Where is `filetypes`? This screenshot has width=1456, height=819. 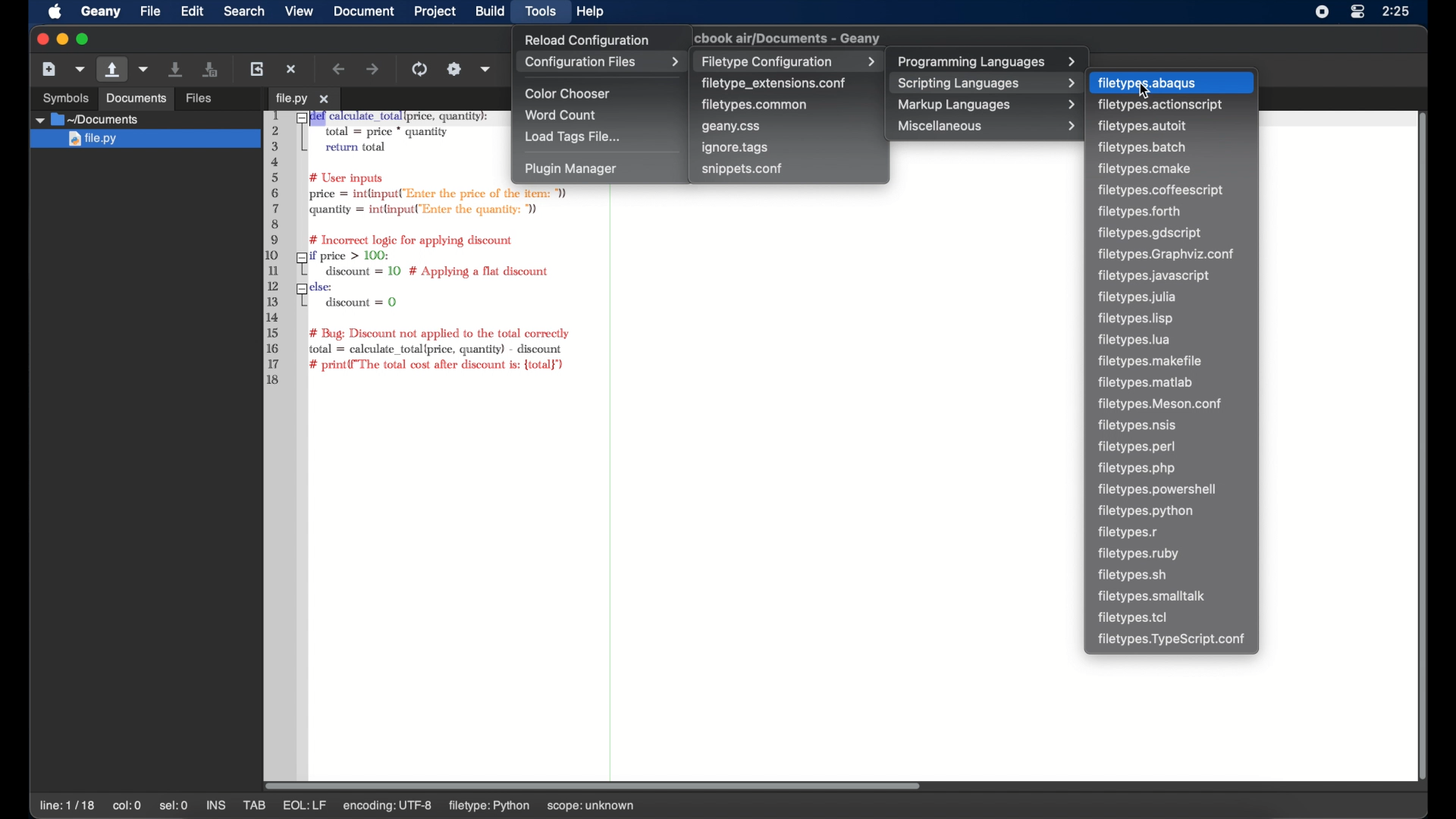 filetypes is located at coordinates (1142, 127).